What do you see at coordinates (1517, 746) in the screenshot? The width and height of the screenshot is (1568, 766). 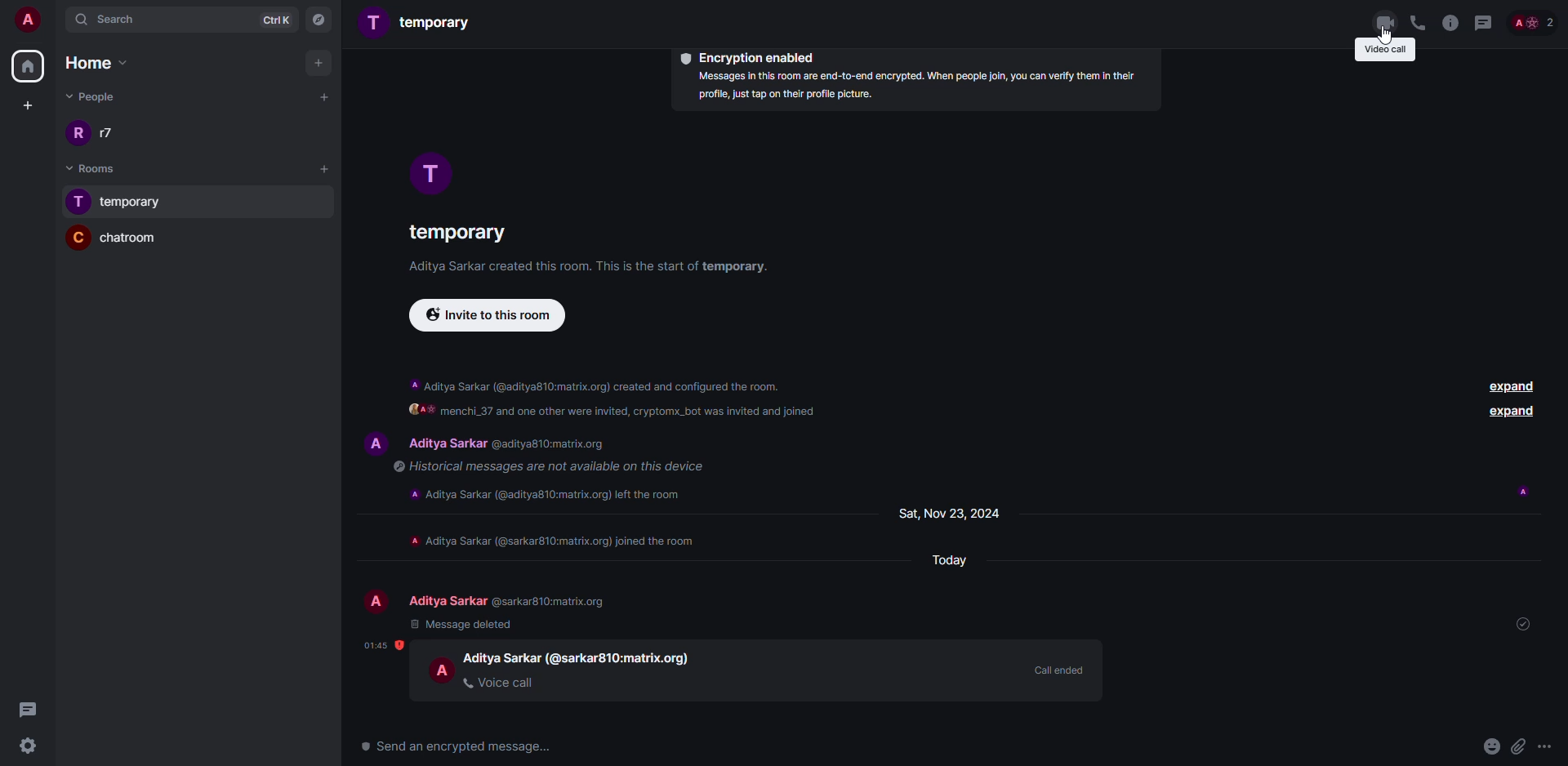 I see `attach` at bounding box center [1517, 746].